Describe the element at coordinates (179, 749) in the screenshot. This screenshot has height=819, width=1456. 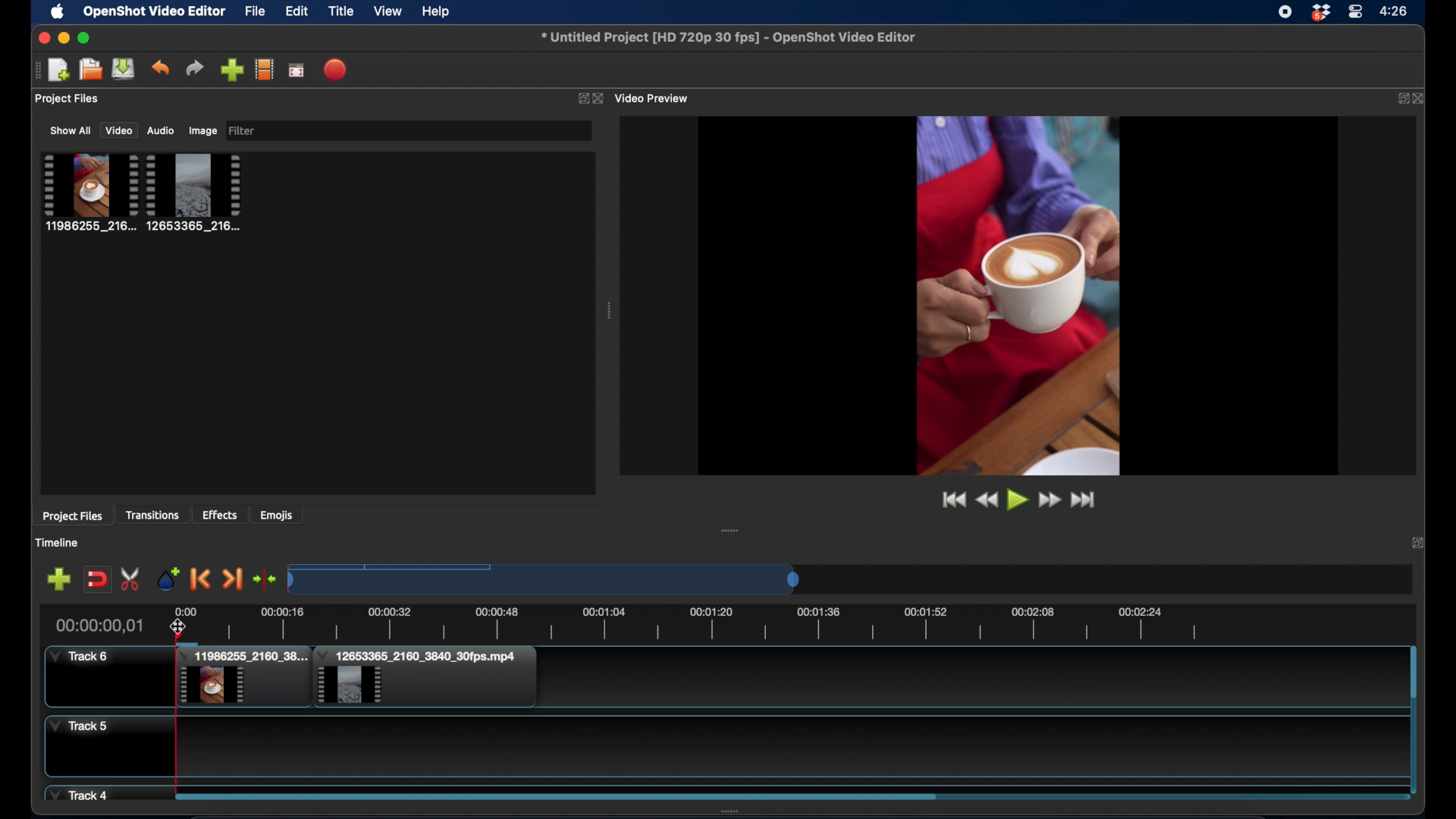
I see `playhead` at that location.